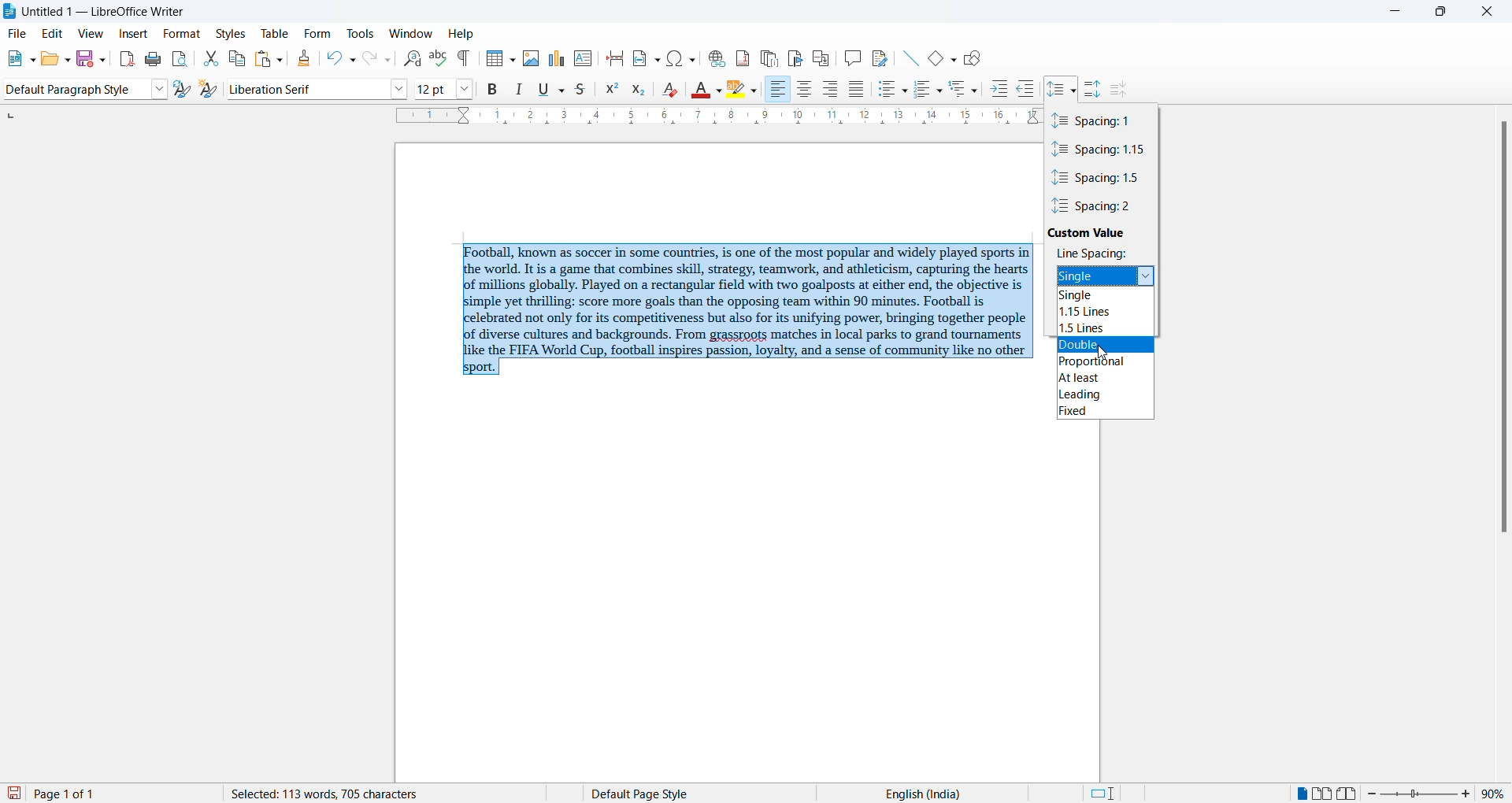  What do you see at coordinates (134, 35) in the screenshot?
I see `insert` at bounding box center [134, 35].